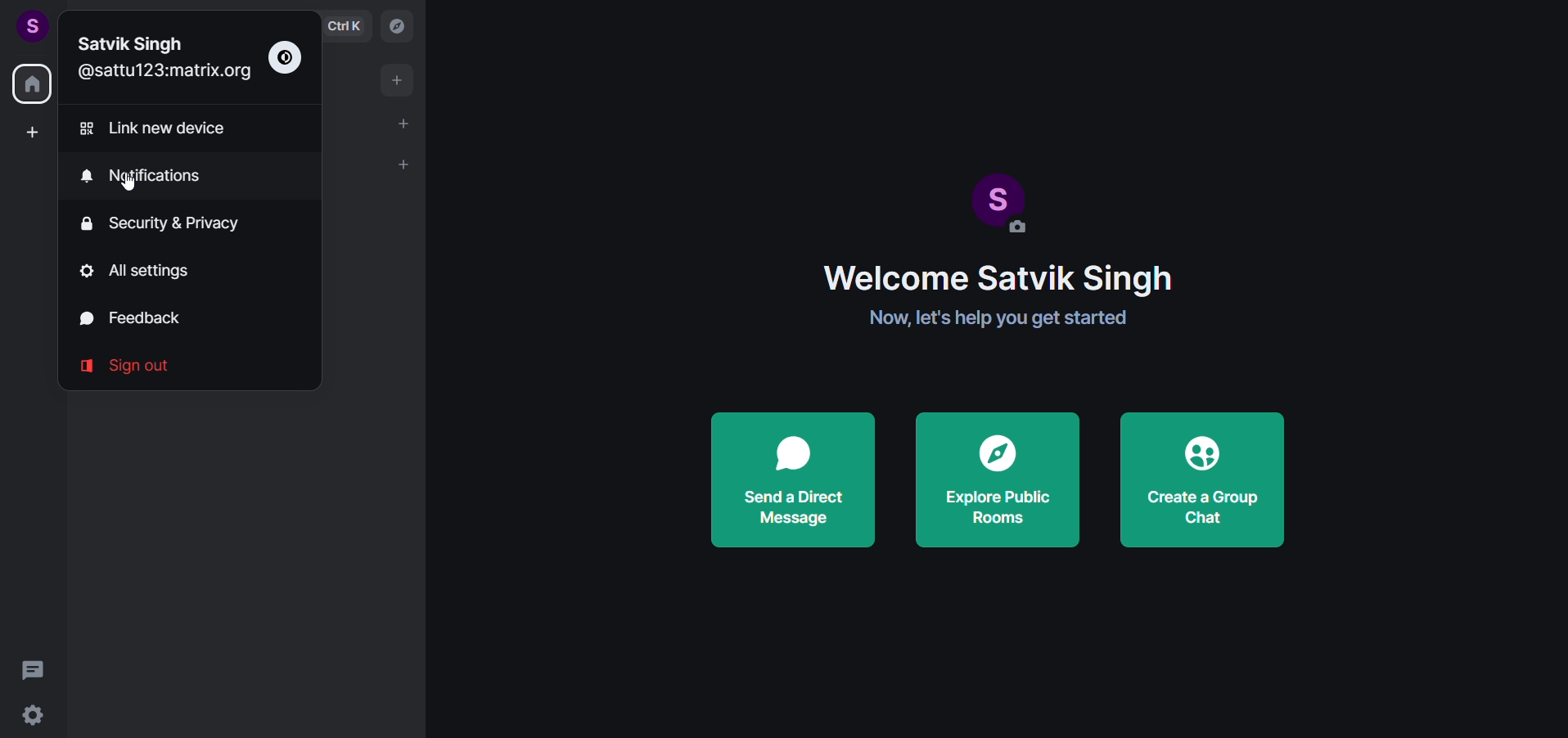 The height and width of the screenshot is (738, 1568). I want to click on link new device, so click(155, 129).